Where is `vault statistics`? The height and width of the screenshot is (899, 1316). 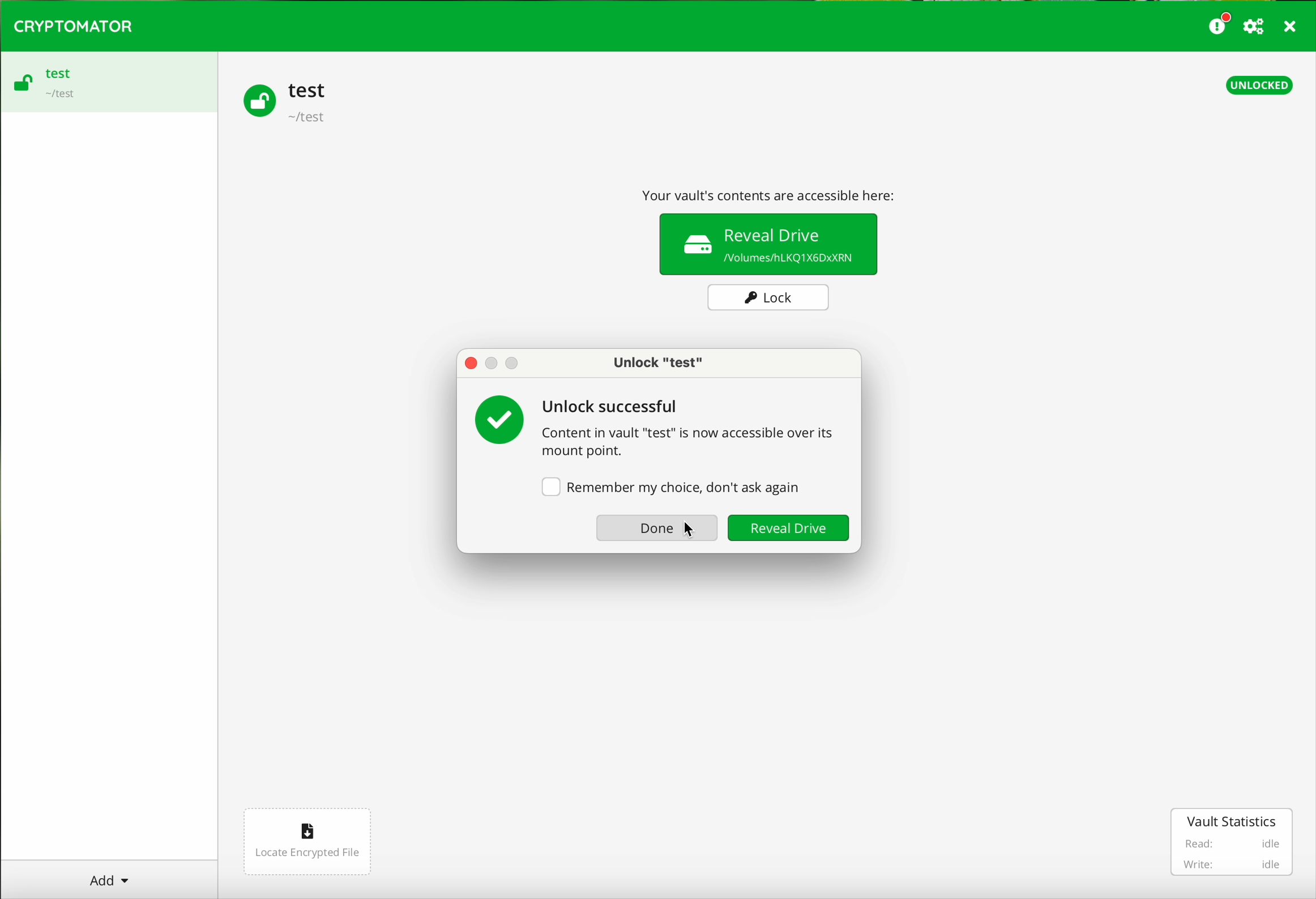
vault statistics is located at coordinates (1234, 842).